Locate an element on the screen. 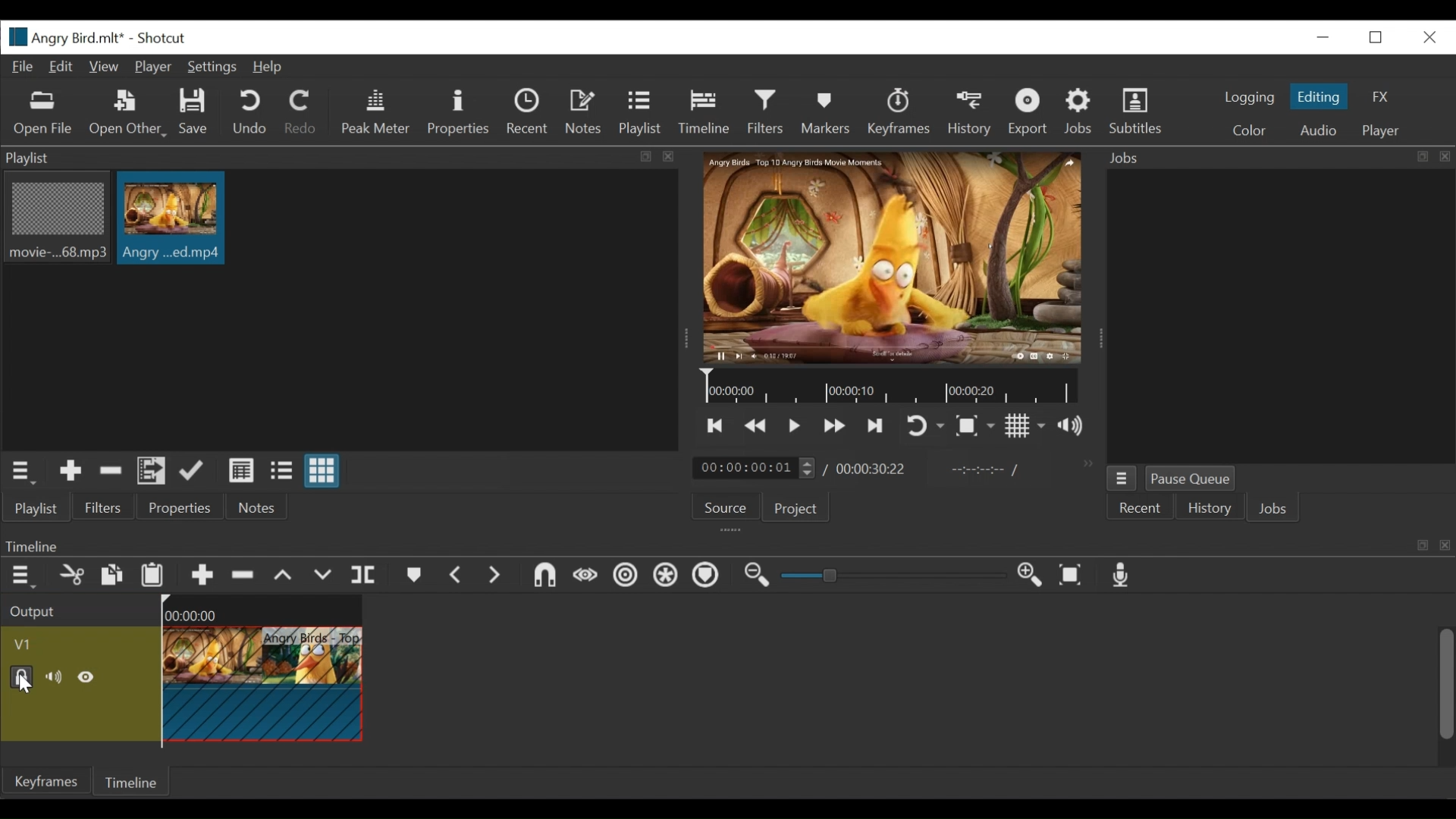 This screenshot has width=1456, height=819. Recent is located at coordinates (1141, 507).